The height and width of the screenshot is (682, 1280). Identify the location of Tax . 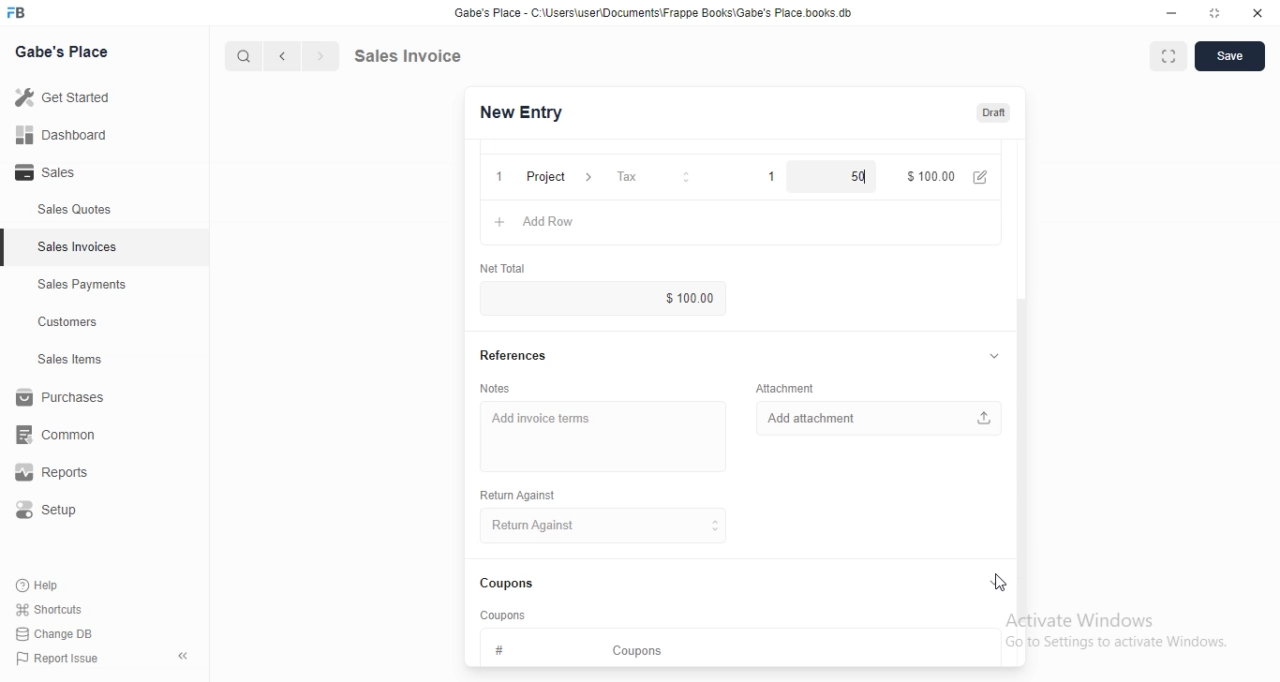
(646, 176).